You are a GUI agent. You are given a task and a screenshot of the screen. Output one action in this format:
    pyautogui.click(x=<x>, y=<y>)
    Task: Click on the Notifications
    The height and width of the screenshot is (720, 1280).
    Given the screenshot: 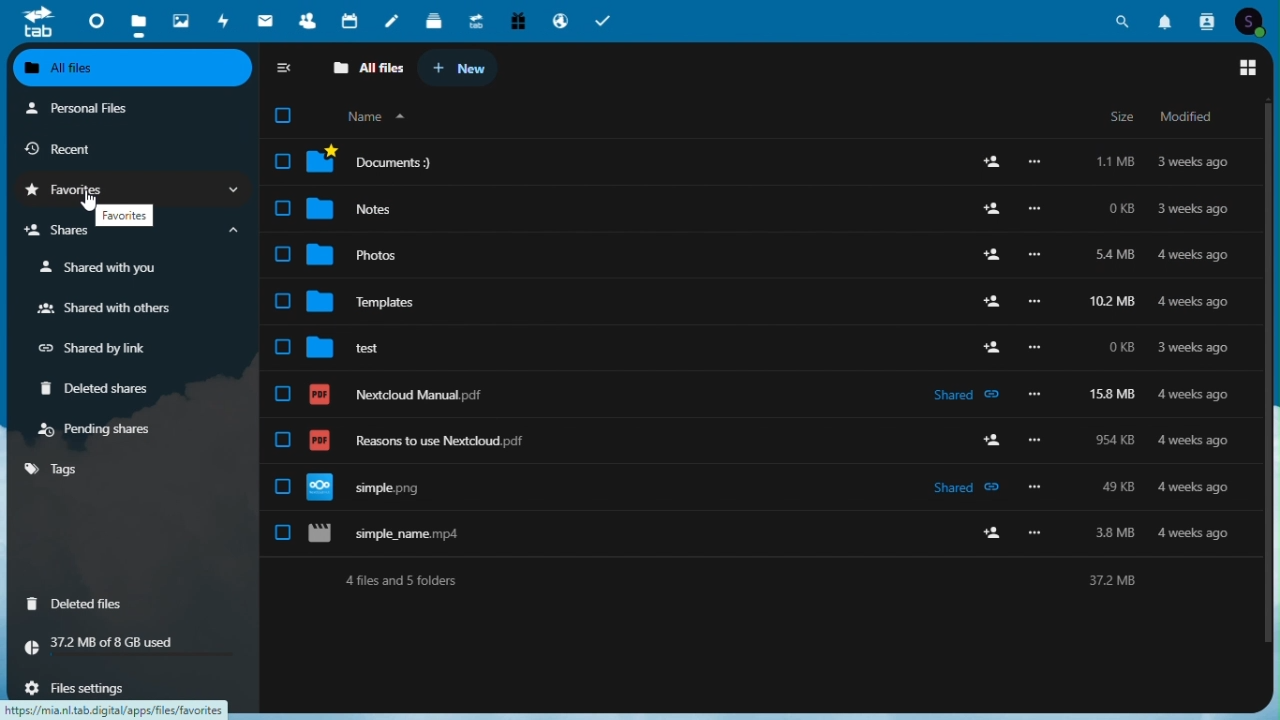 What is the action you would take?
    pyautogui.click(x=1167, y=19)
    